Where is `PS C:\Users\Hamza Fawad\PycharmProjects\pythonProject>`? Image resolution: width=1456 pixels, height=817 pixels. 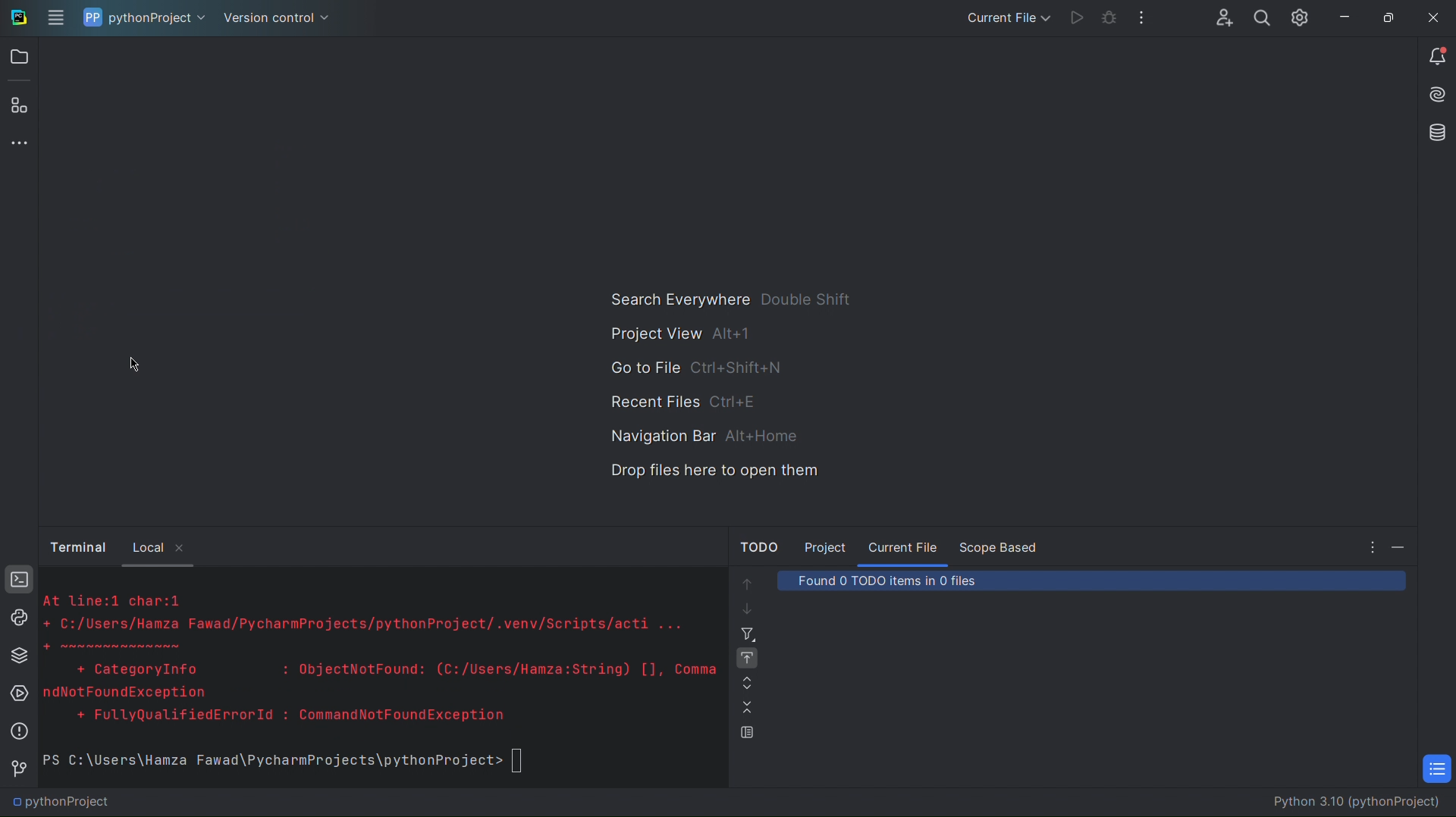 PS C:\Users\Hamza Fawad\PycharmProjects\pythonProject> is located at coordinates (273, 756).